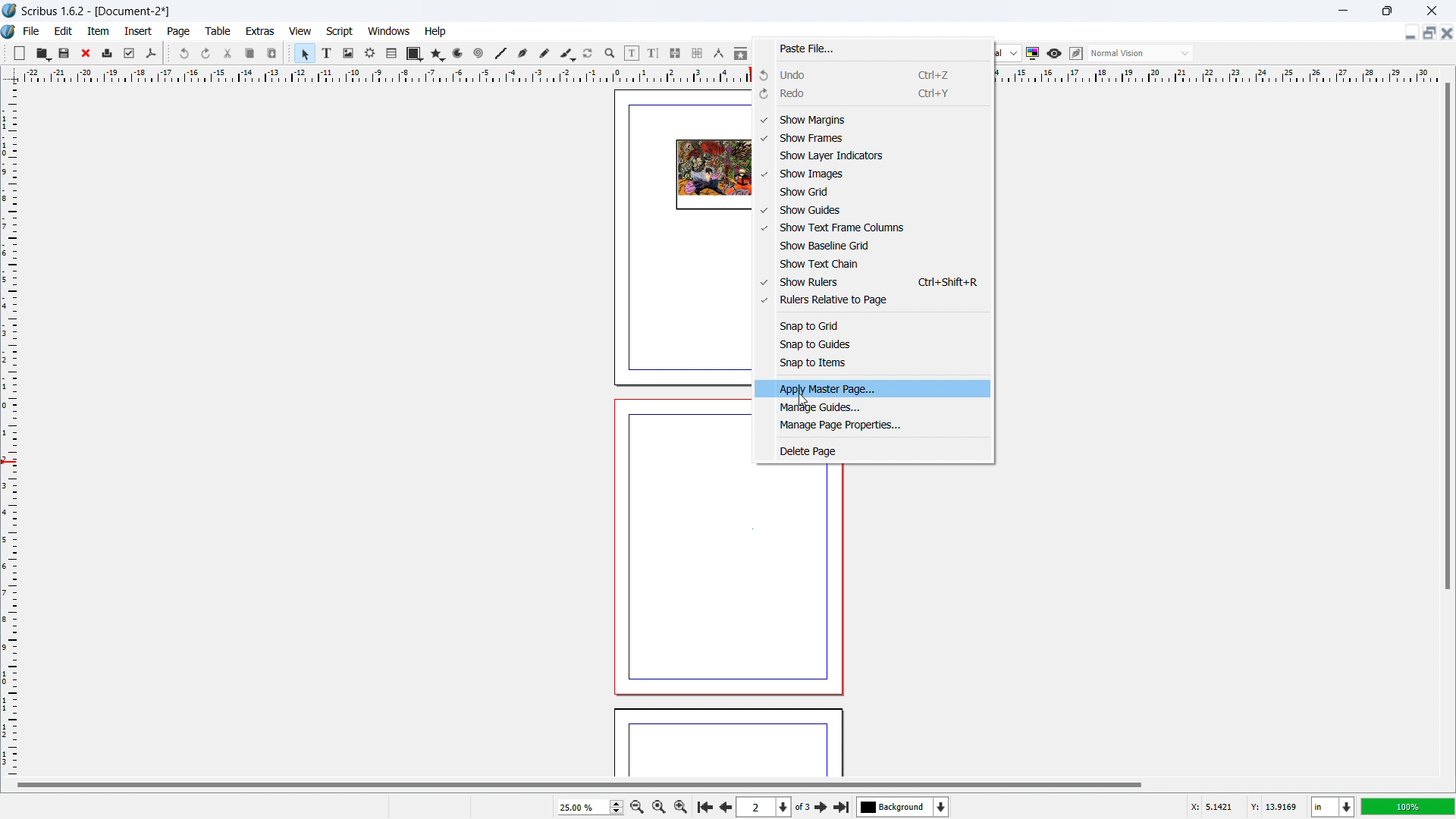 This screenshot has width=1456, height=819. What do you see at coordinates (741, 53) in the screenshot?
I see `copy item properties` at bounding box center [741, 53].